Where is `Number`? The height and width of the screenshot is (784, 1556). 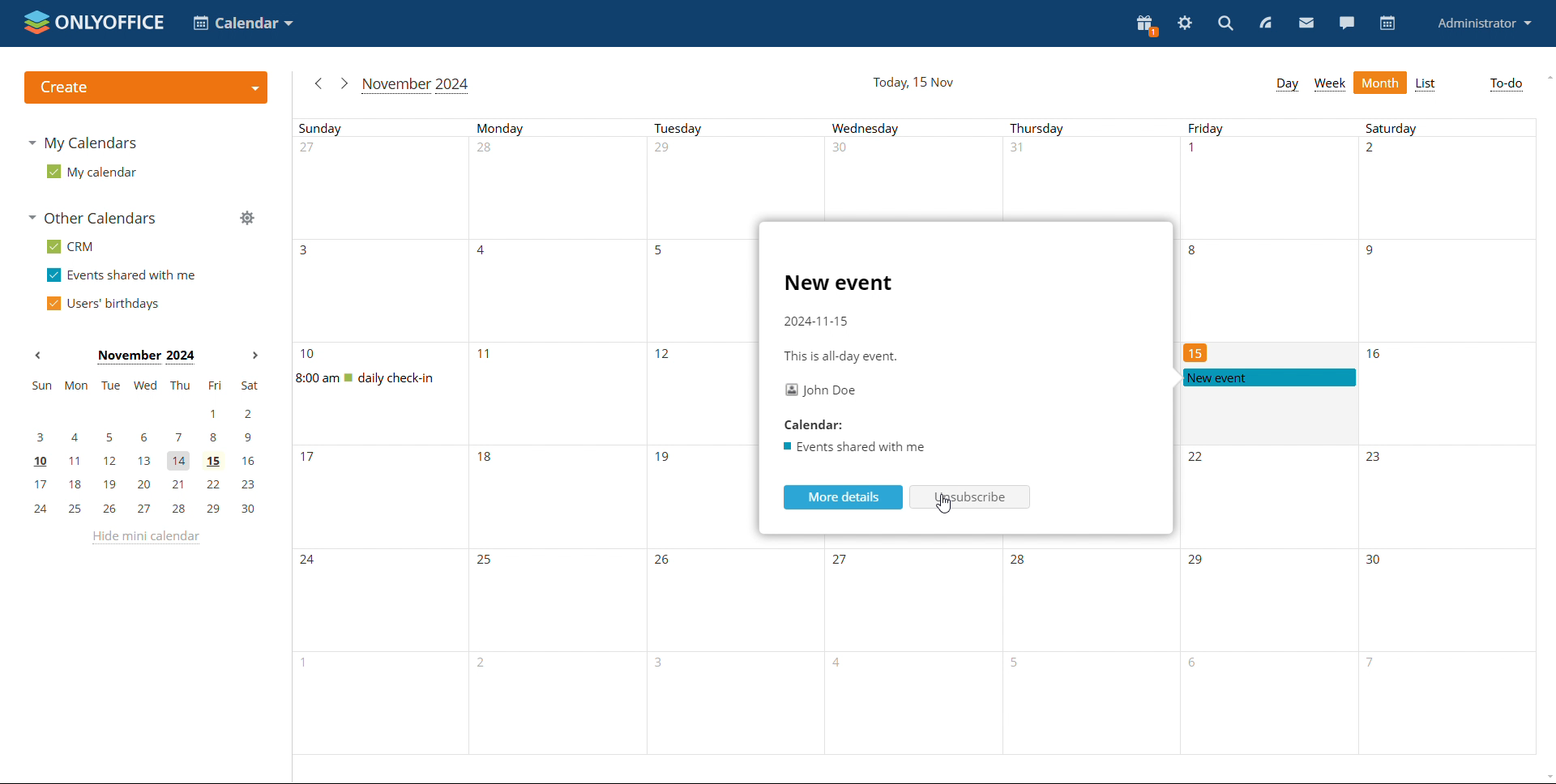
Number is located at coordinates (1374, 151).